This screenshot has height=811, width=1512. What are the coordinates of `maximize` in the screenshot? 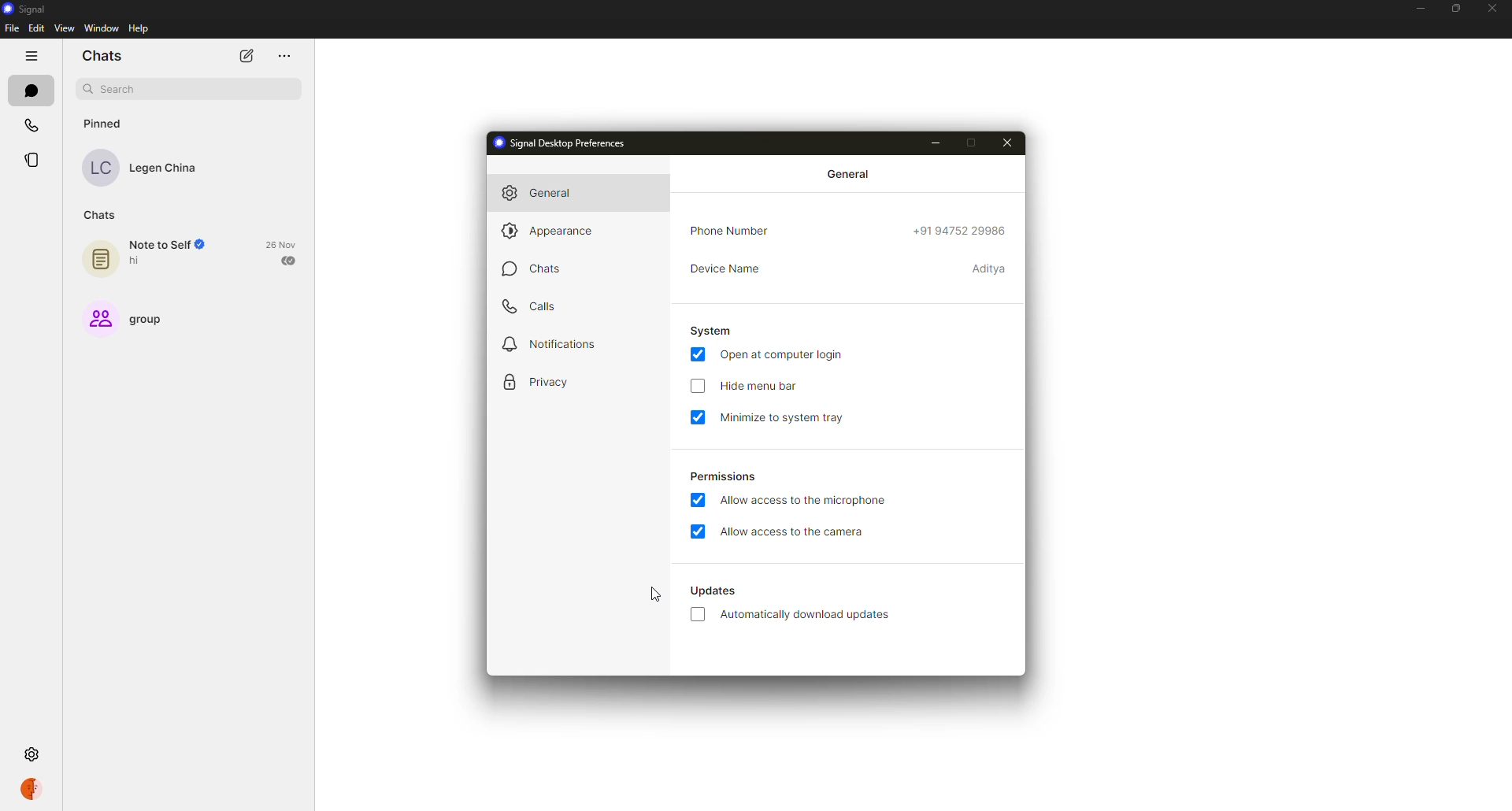 It's located at (1452, 9).